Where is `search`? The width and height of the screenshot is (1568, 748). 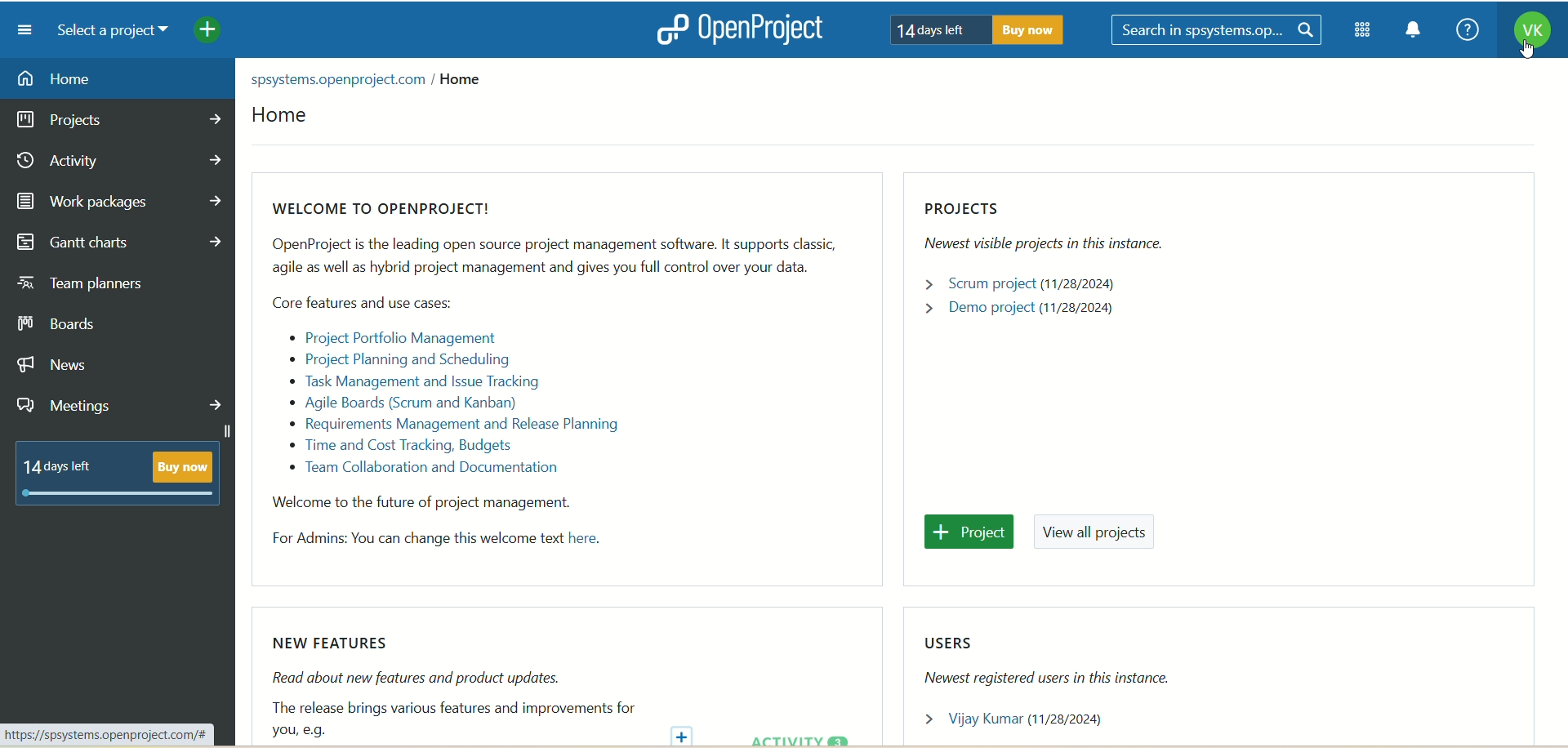
search is located at coordinates (1219, 31).